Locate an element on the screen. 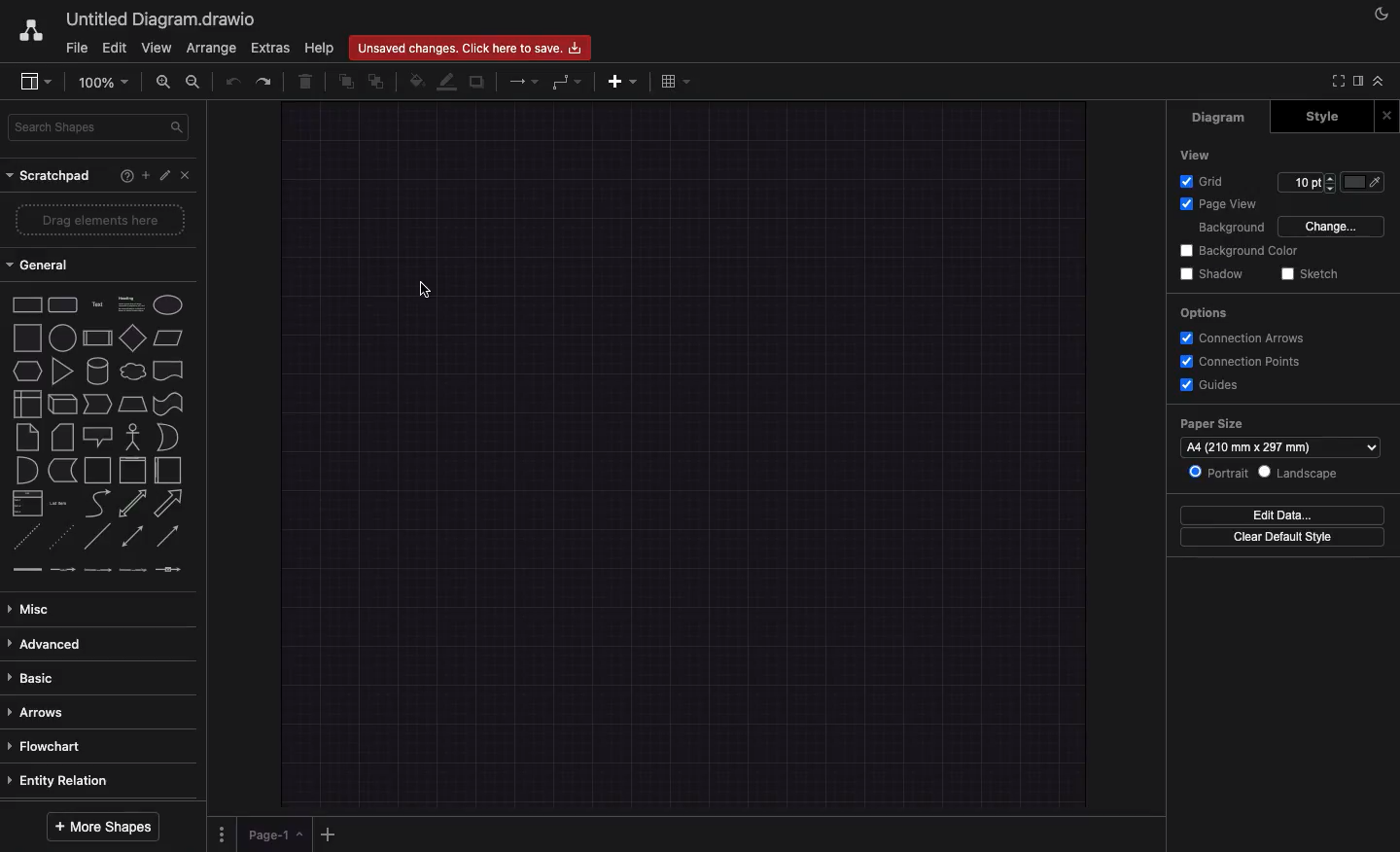 Image resolution: width=1400 pixels, height=852 pixels. Scratchpad is located at coordinates (49, 173).